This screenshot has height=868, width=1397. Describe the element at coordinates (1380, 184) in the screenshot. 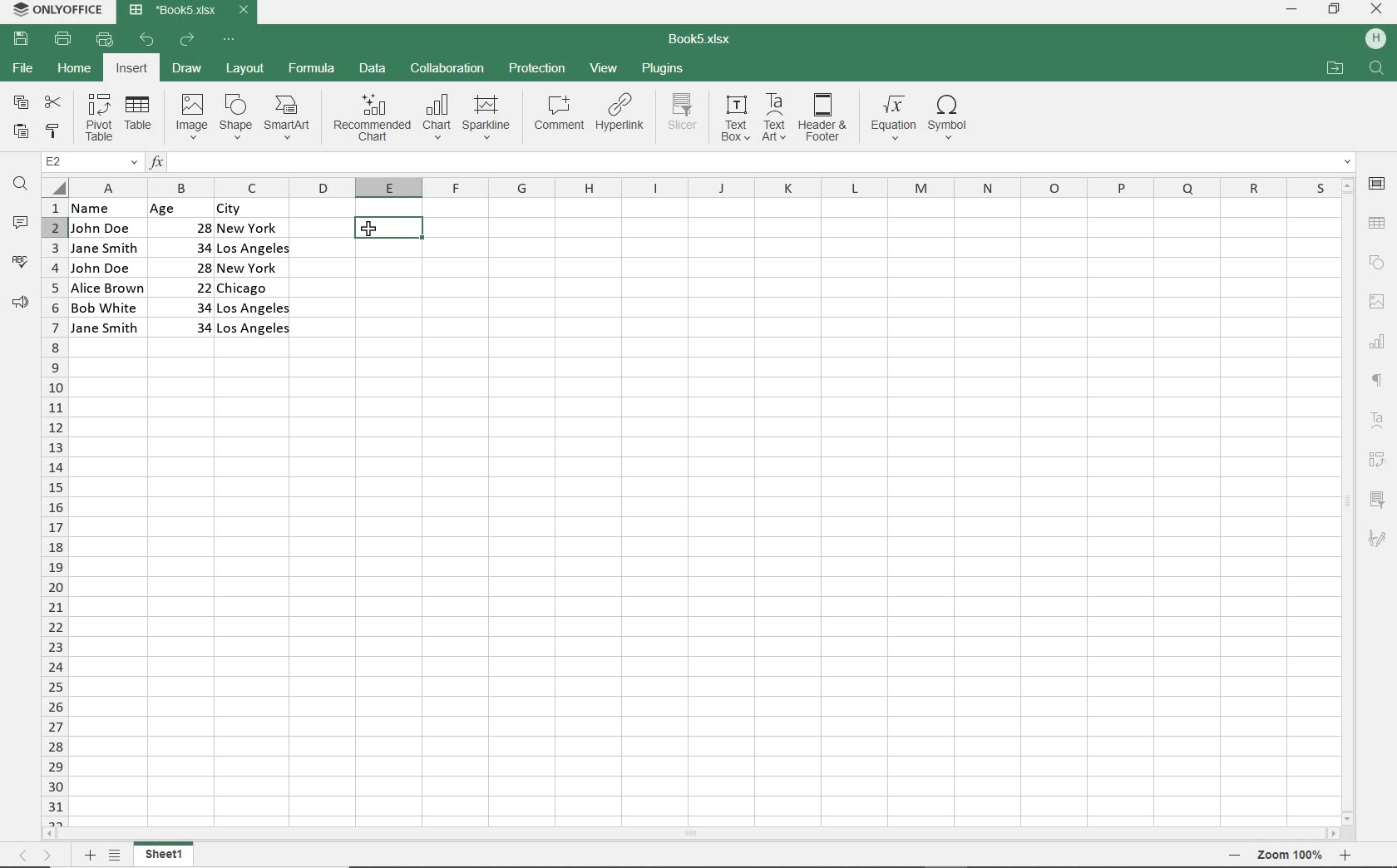

I see `CELL SETTINGS` at that location.